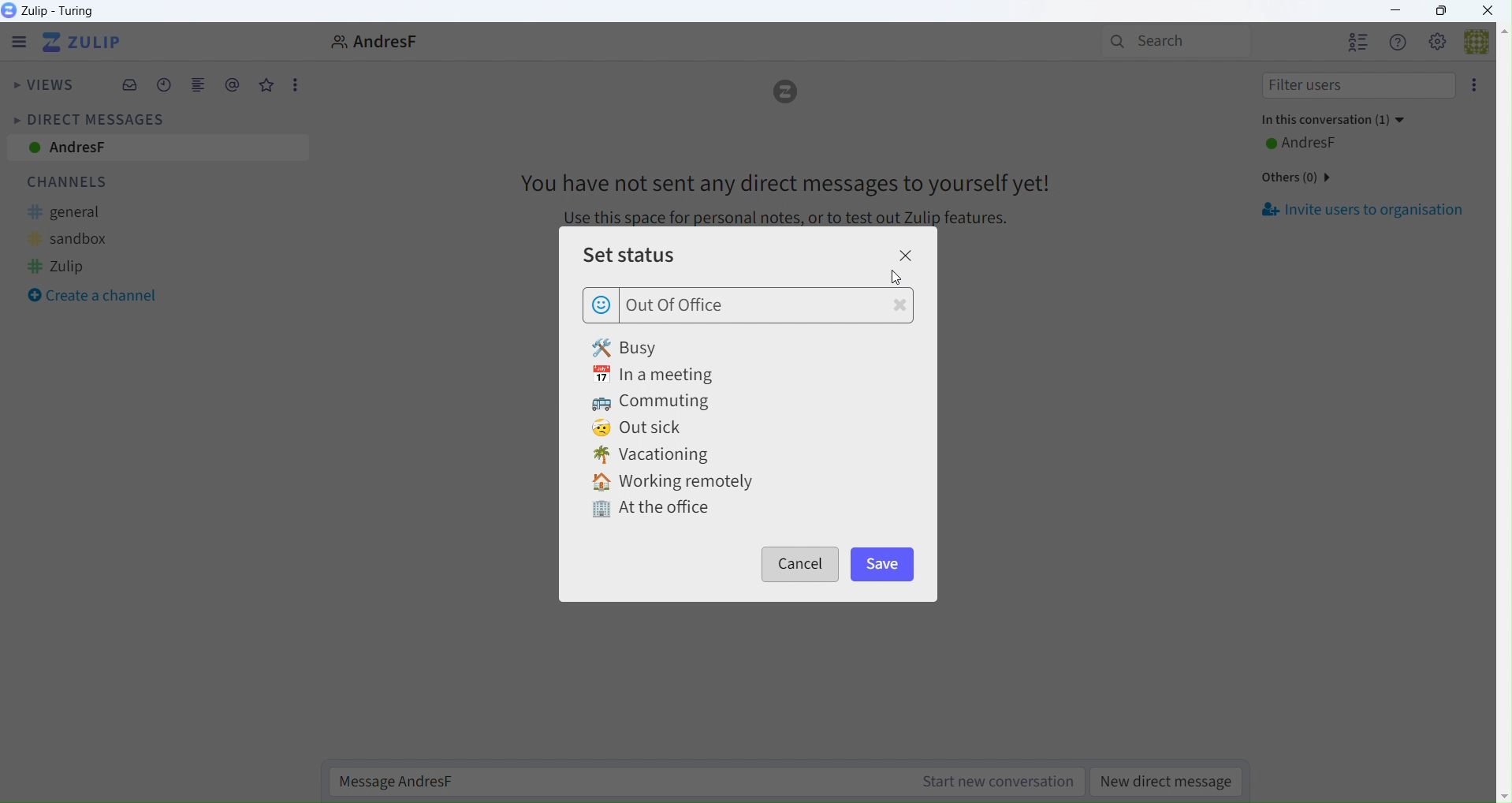 Image resolution: width=1512 pixels, height=803 pixels. Describe the element at coordinates (788, 95) in the screenshot. I see `Logo` at that location.